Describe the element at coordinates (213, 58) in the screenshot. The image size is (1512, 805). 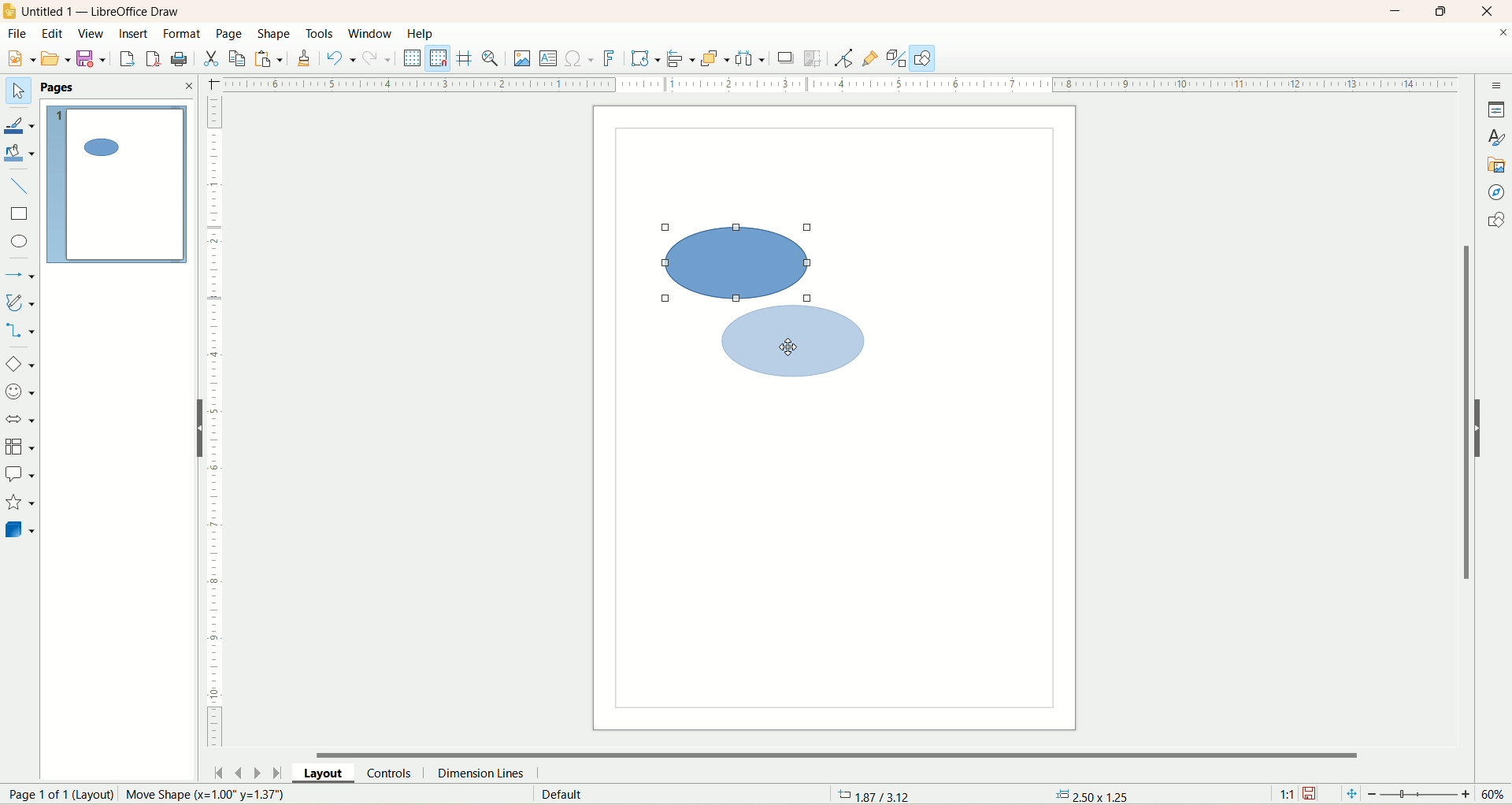
I see `cut` at that location.